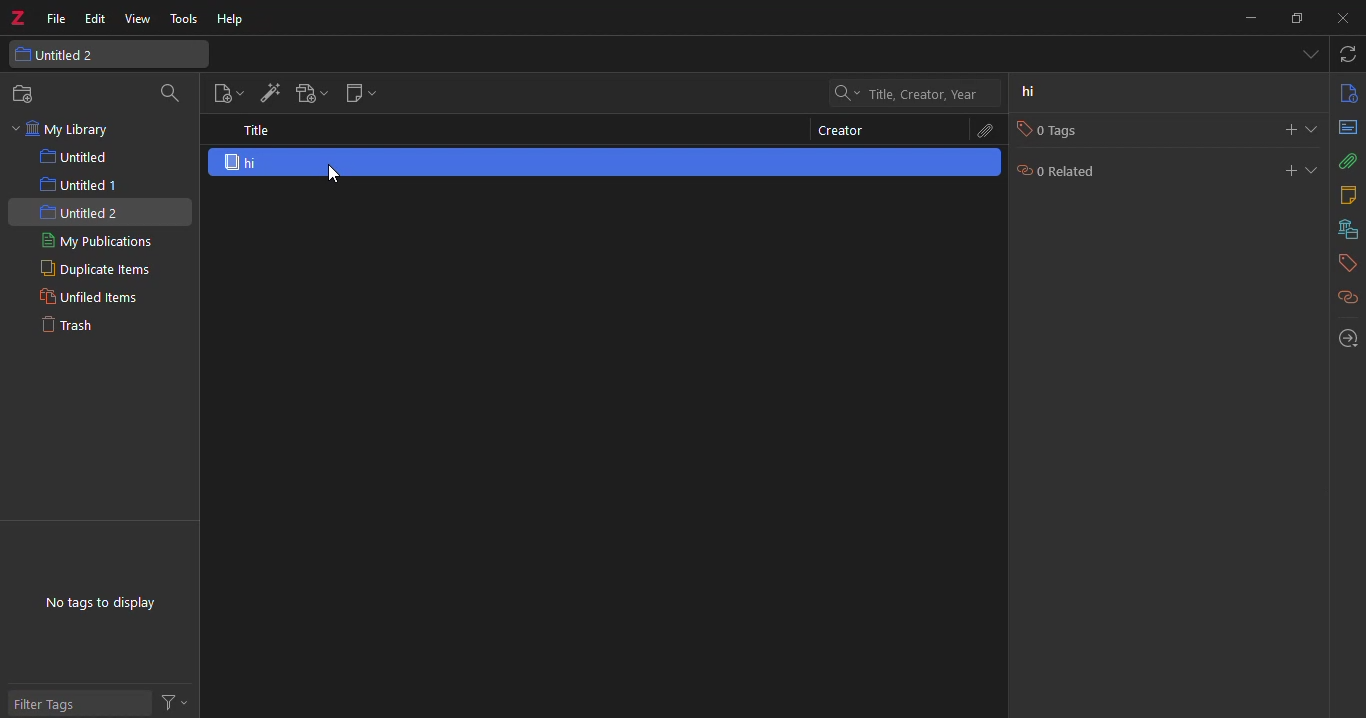 This screenshot has width=1366, height=718. What do you see at coordinates (81, 298) in the screenshot?
I see `unfiled items` at bounding box center [81, 298].